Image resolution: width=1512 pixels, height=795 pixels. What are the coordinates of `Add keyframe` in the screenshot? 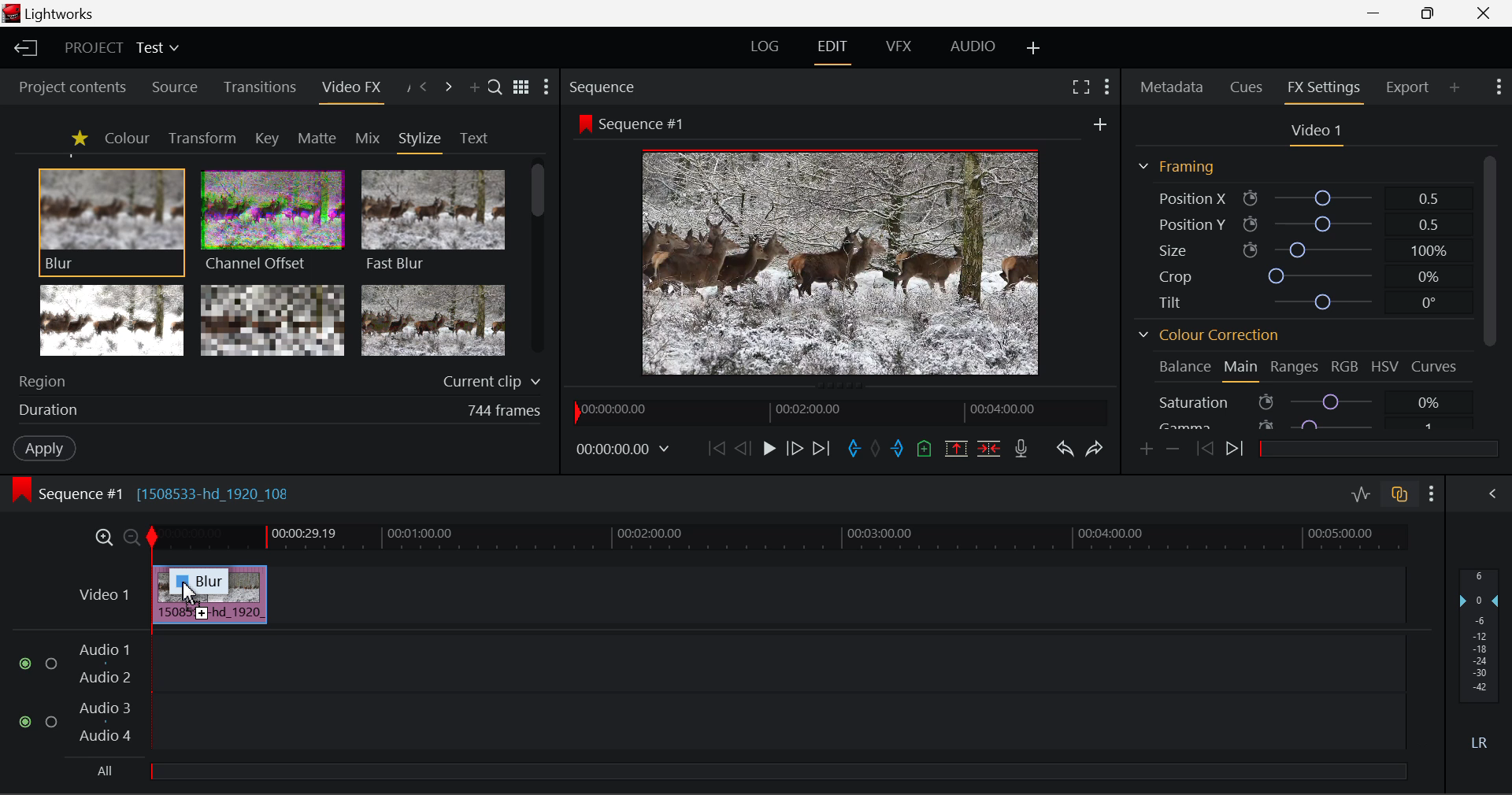 It's located at (1145, 449).